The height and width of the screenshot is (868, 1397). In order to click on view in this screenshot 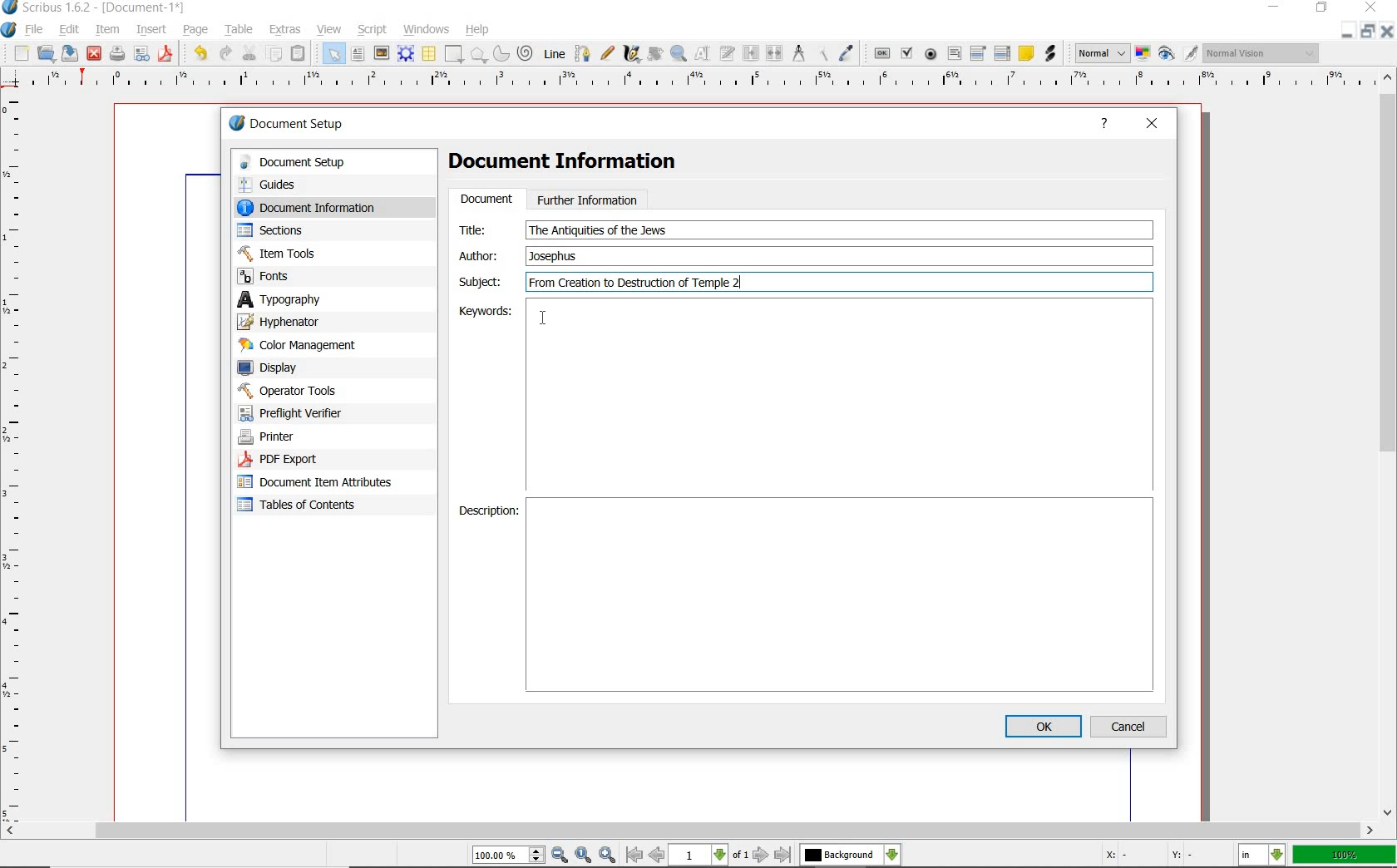, I will do `click(328, 29)`.